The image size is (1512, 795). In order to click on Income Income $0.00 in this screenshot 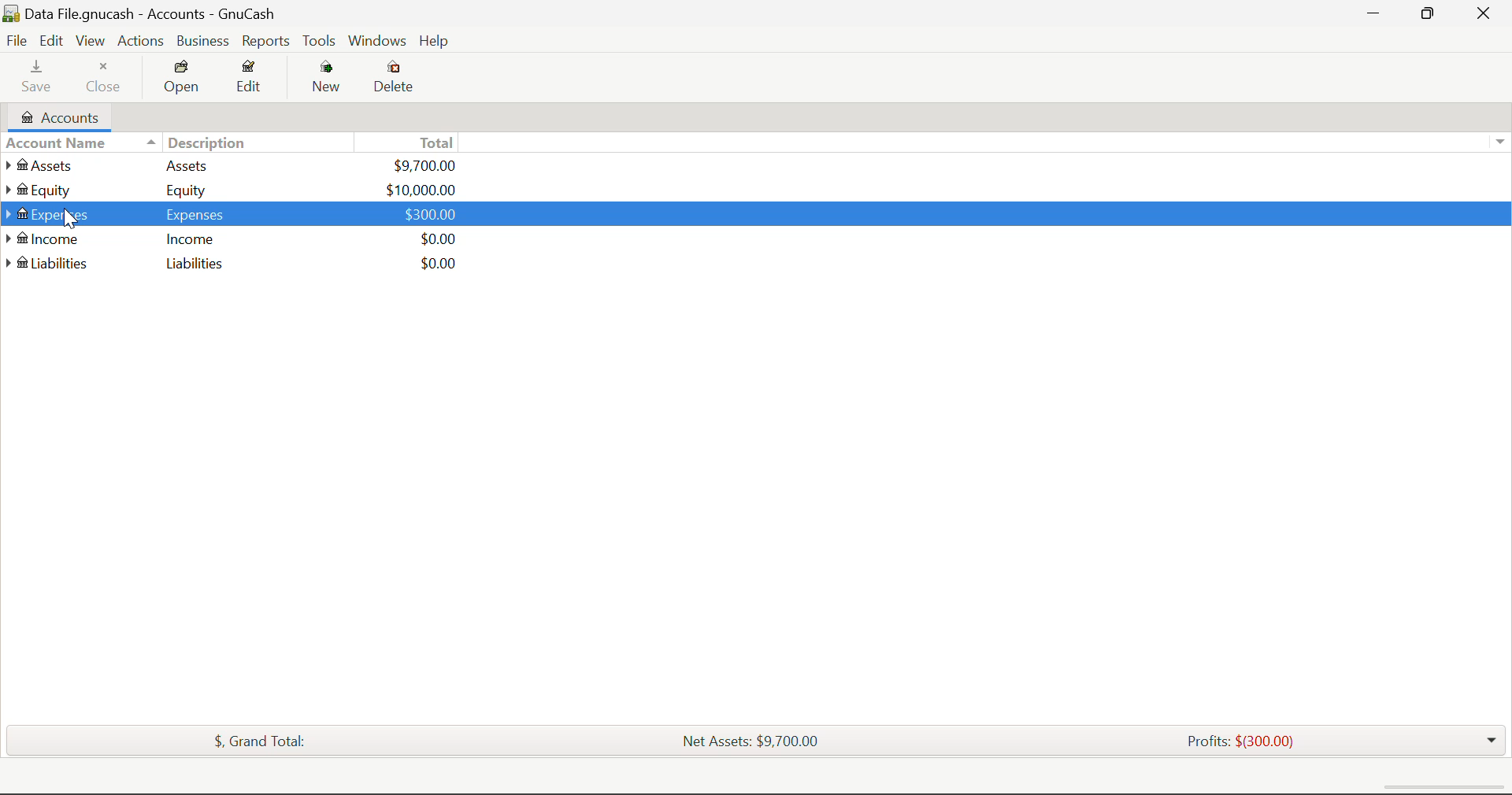, I will do `click(232, 239)`.